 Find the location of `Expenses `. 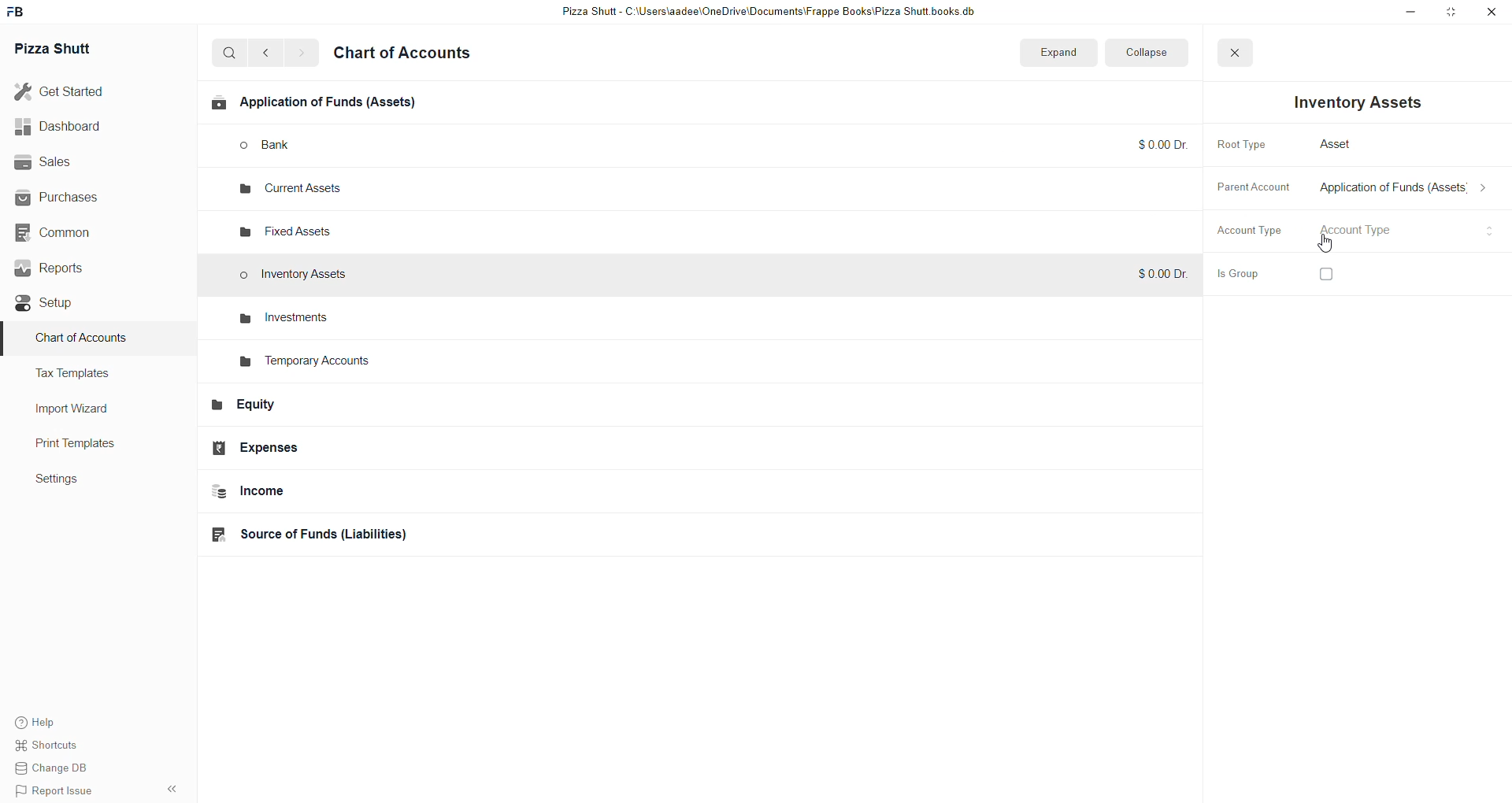

Expenses  is located at coordinates (315, 448).